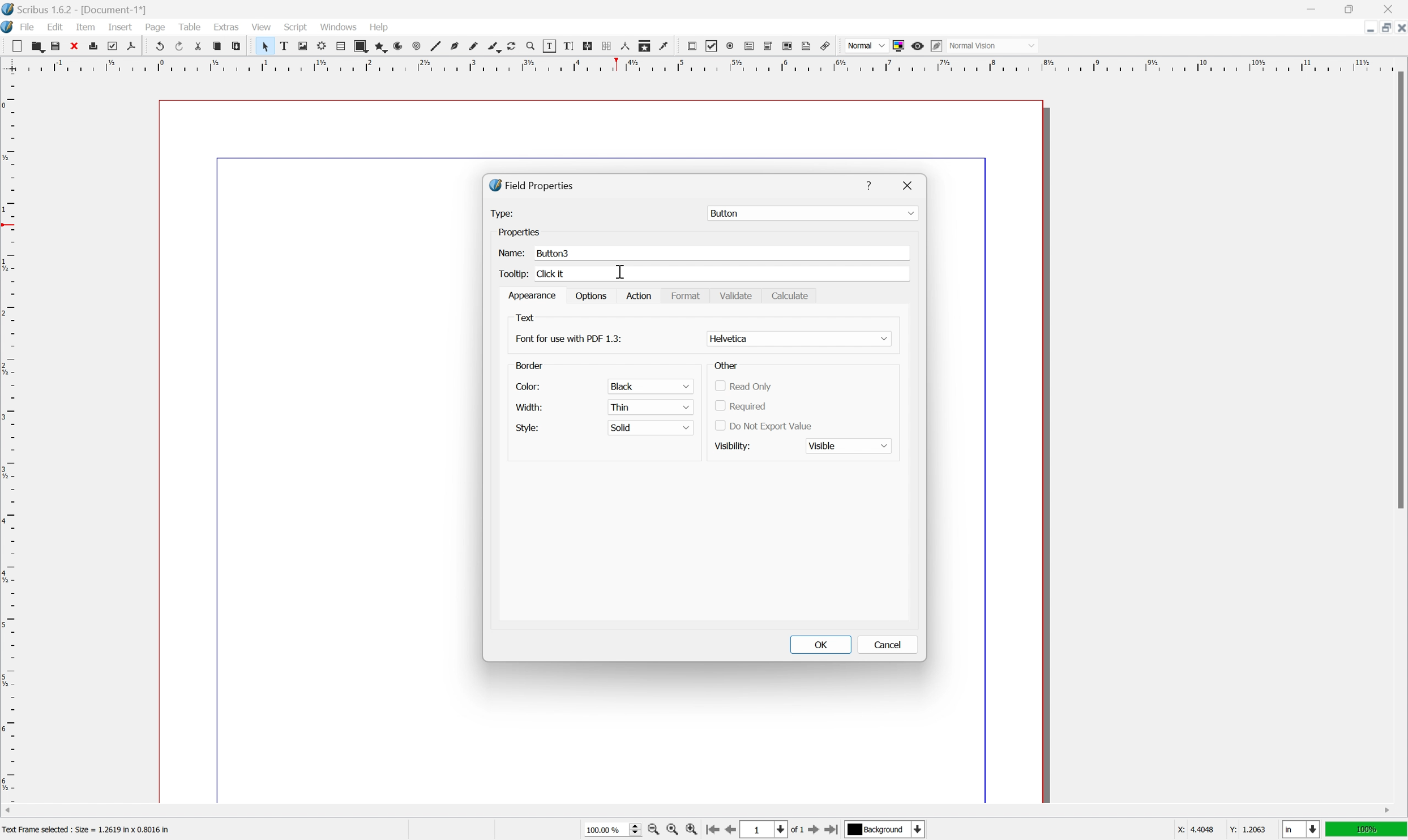  What do you see at coordinates (57, 27) in the screenshot?
I see `edit` at bounding box center [57, 27].